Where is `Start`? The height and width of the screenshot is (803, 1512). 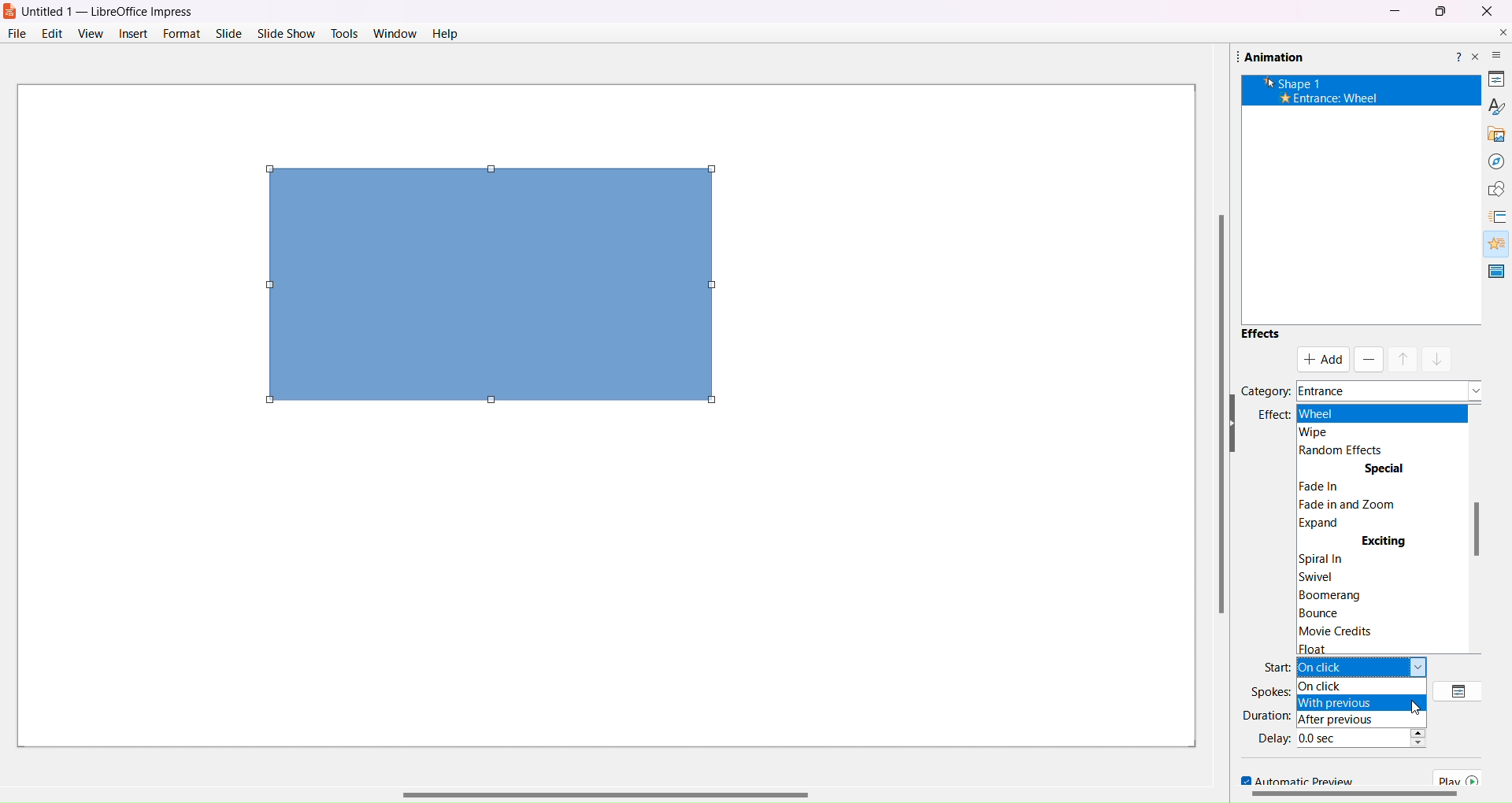 Start is located at coordinates (1275, 666).